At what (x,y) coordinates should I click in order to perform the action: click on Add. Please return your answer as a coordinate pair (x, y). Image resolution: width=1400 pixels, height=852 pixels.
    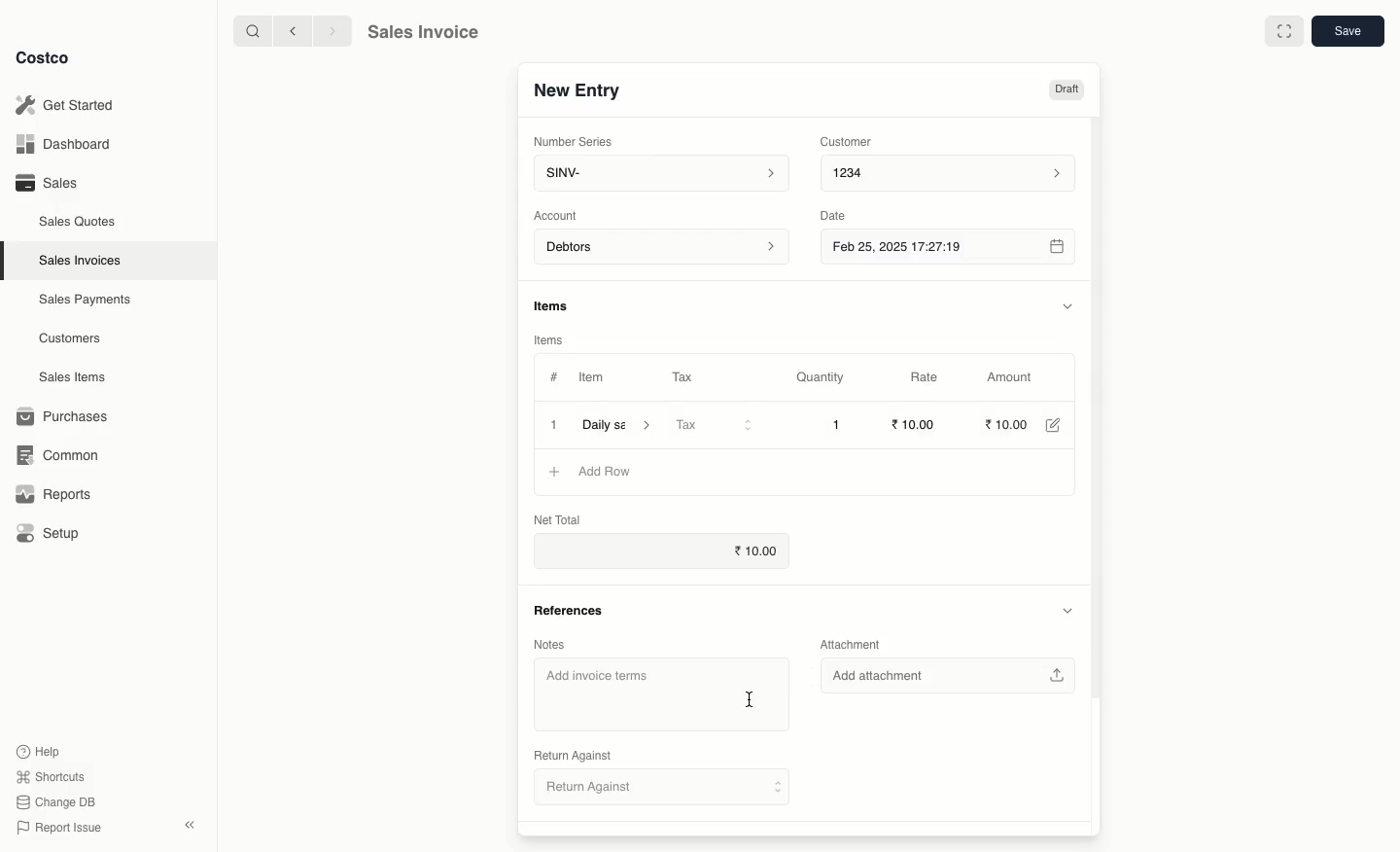
    Looking at the image, I should click on (556, 472).